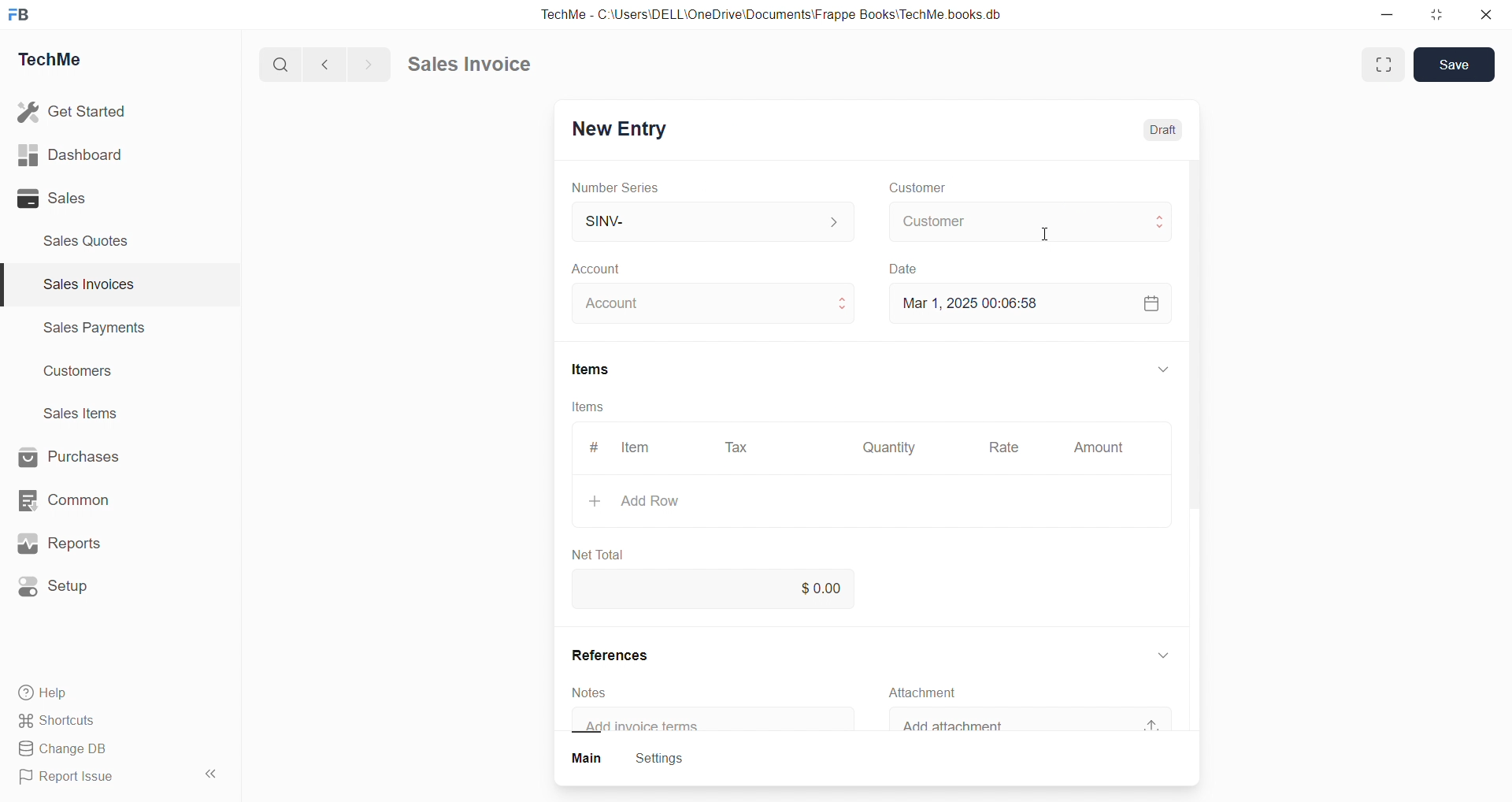  What do you see at coordinates (590, 407) in the screenshot?
I see `Items` at bounding box center [590, 407].